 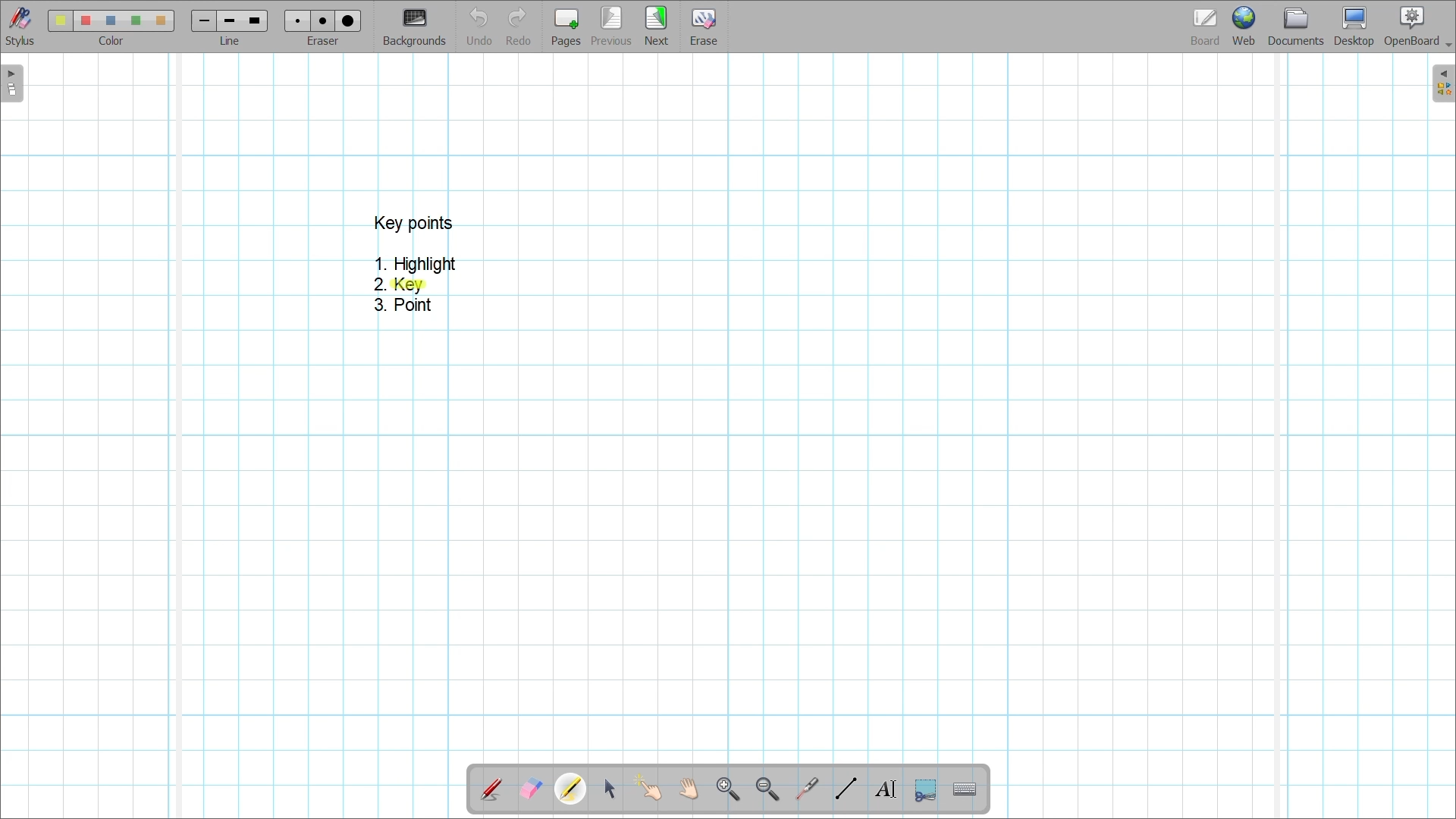 I want to click on Highlighter dragged over point 2, so click(x=410, y=286).